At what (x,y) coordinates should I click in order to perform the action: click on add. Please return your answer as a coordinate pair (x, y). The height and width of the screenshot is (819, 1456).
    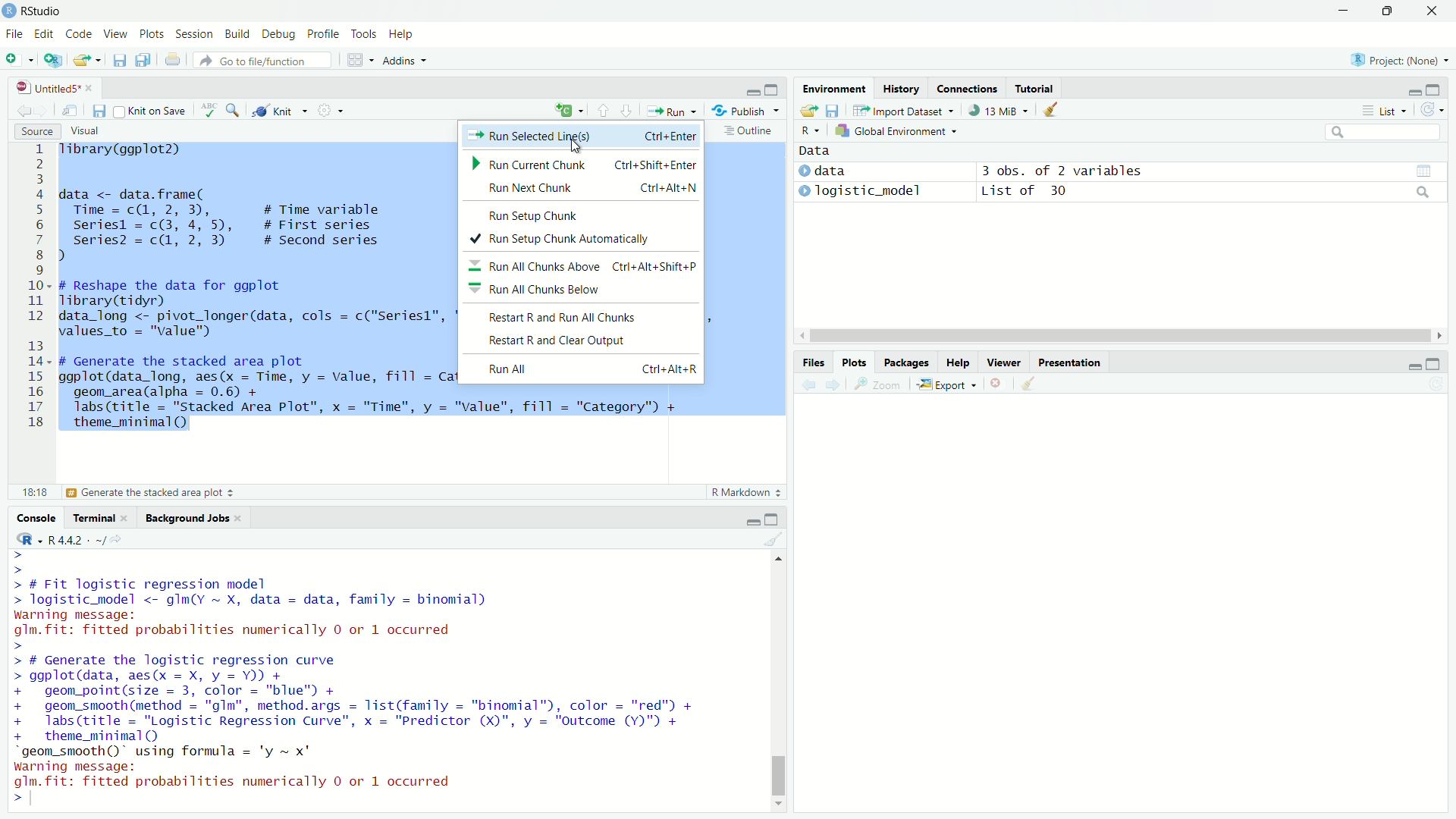
    Looking at the image, I should click on (567, 110).